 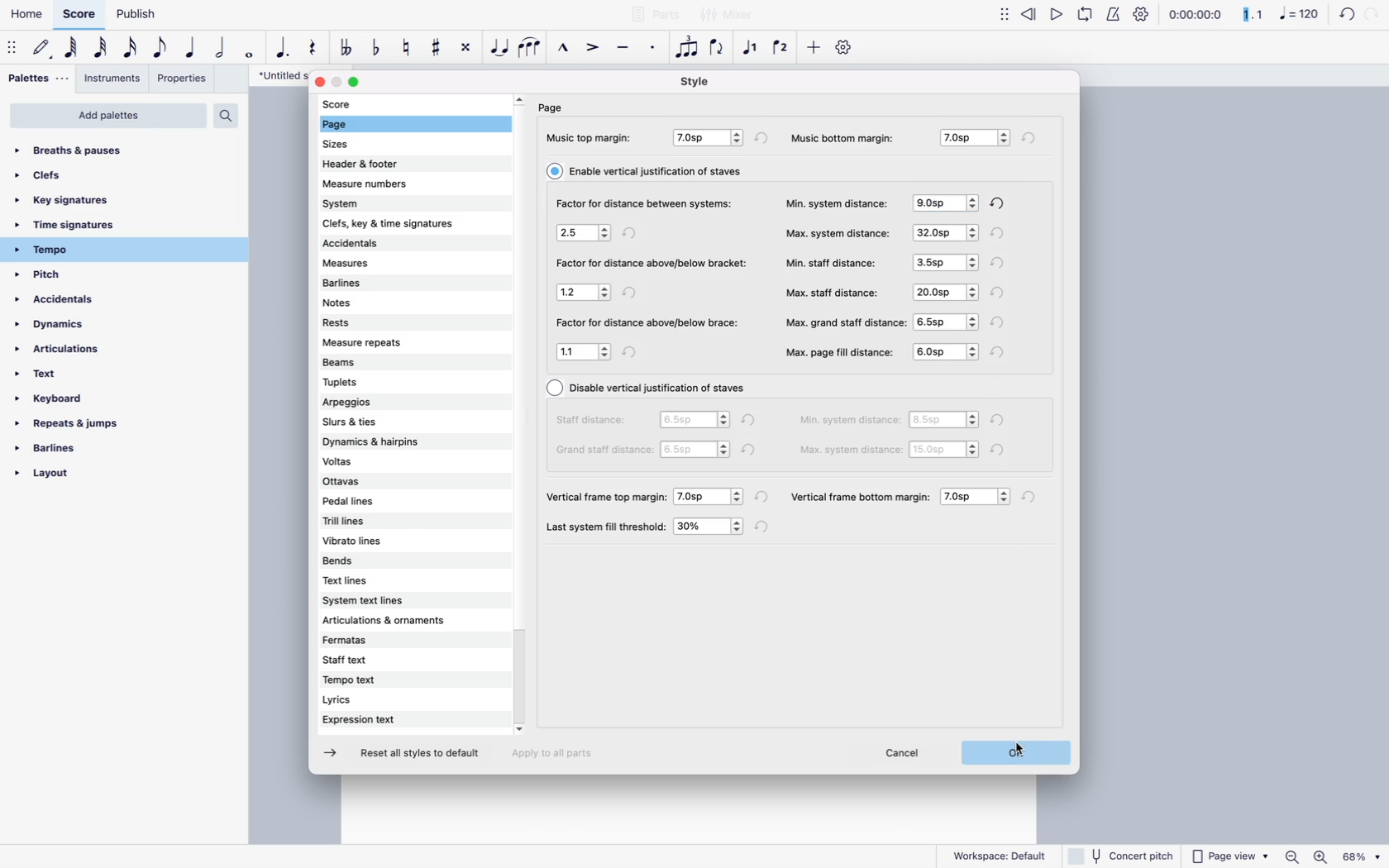 I want to click on refresh, so click(x=1000, y=233).